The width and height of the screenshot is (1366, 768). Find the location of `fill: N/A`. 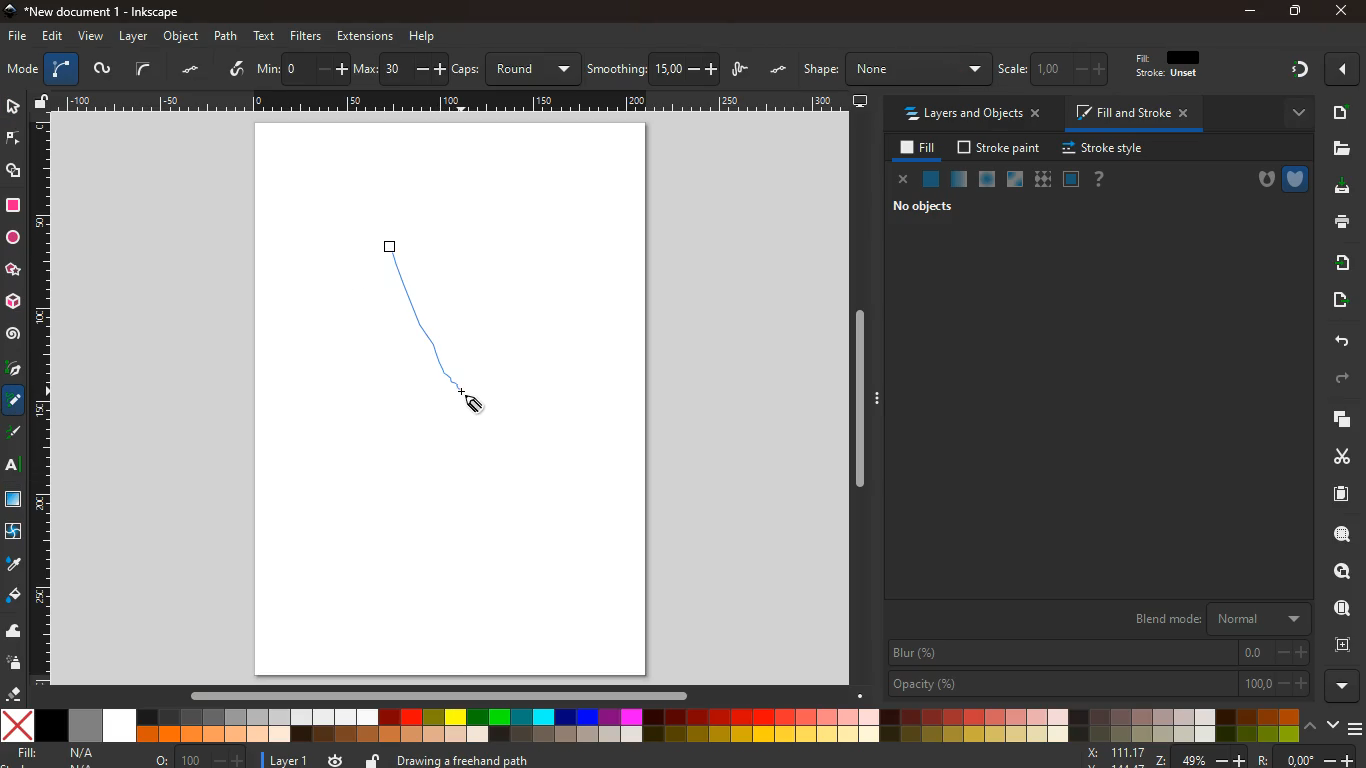

fill: N/A is located at coordinates (57, 753).